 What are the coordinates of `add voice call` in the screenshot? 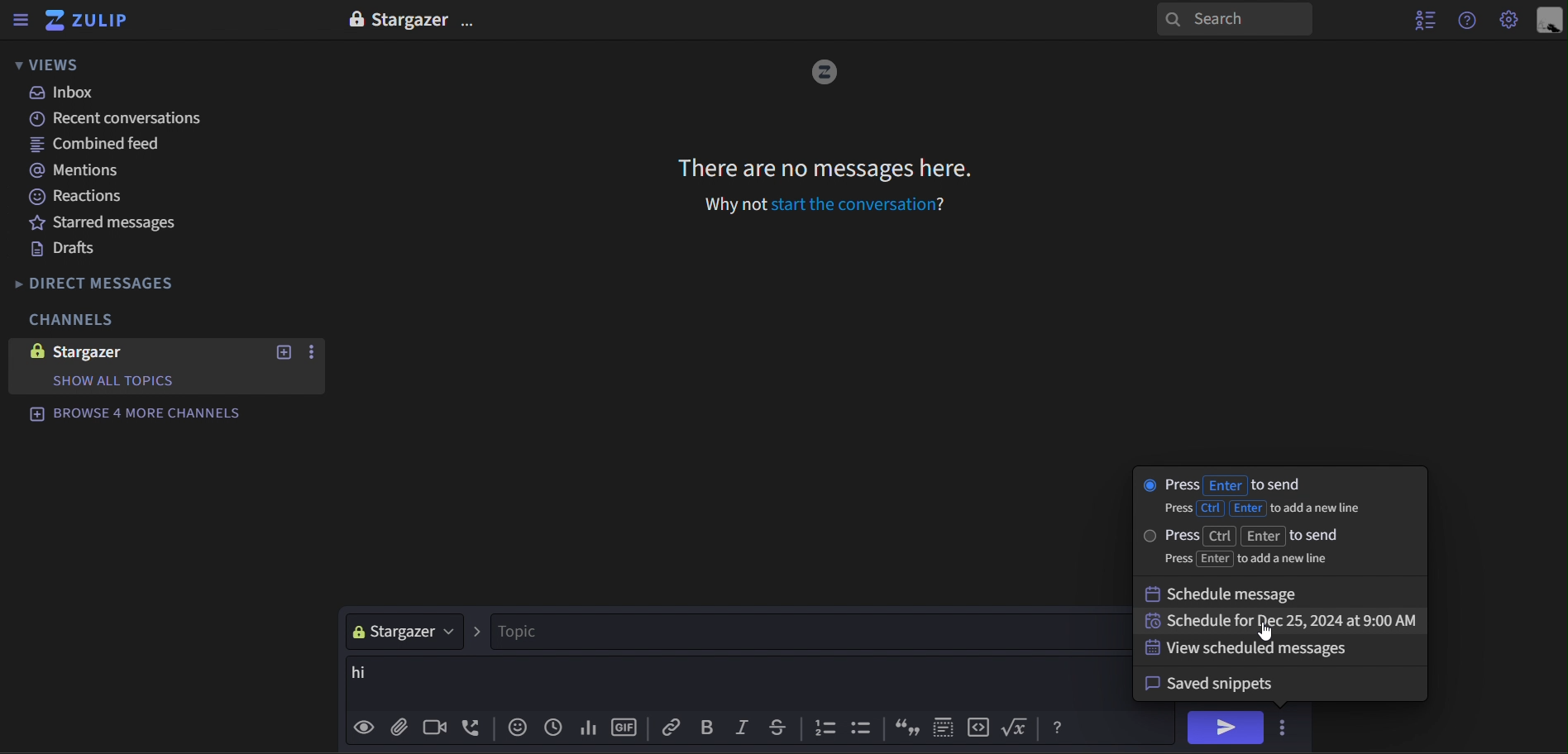 It's located at (475, 728).